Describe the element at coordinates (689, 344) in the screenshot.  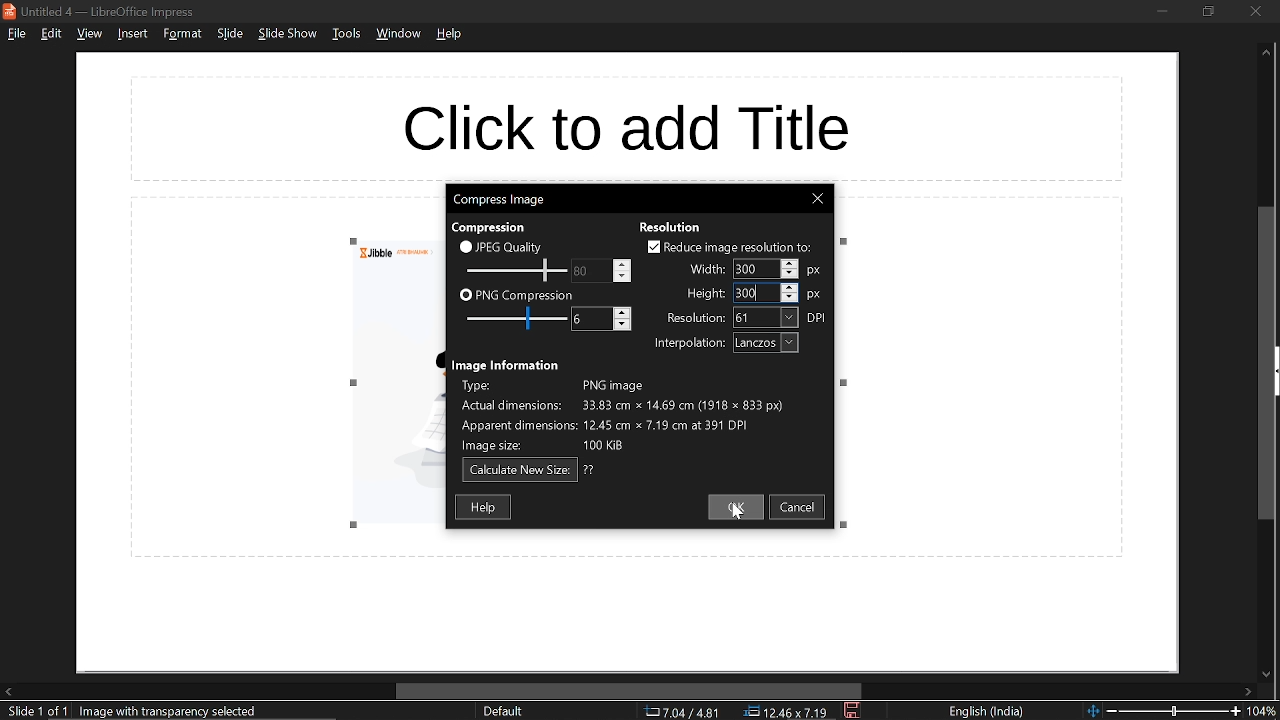
I see `text` at that location.